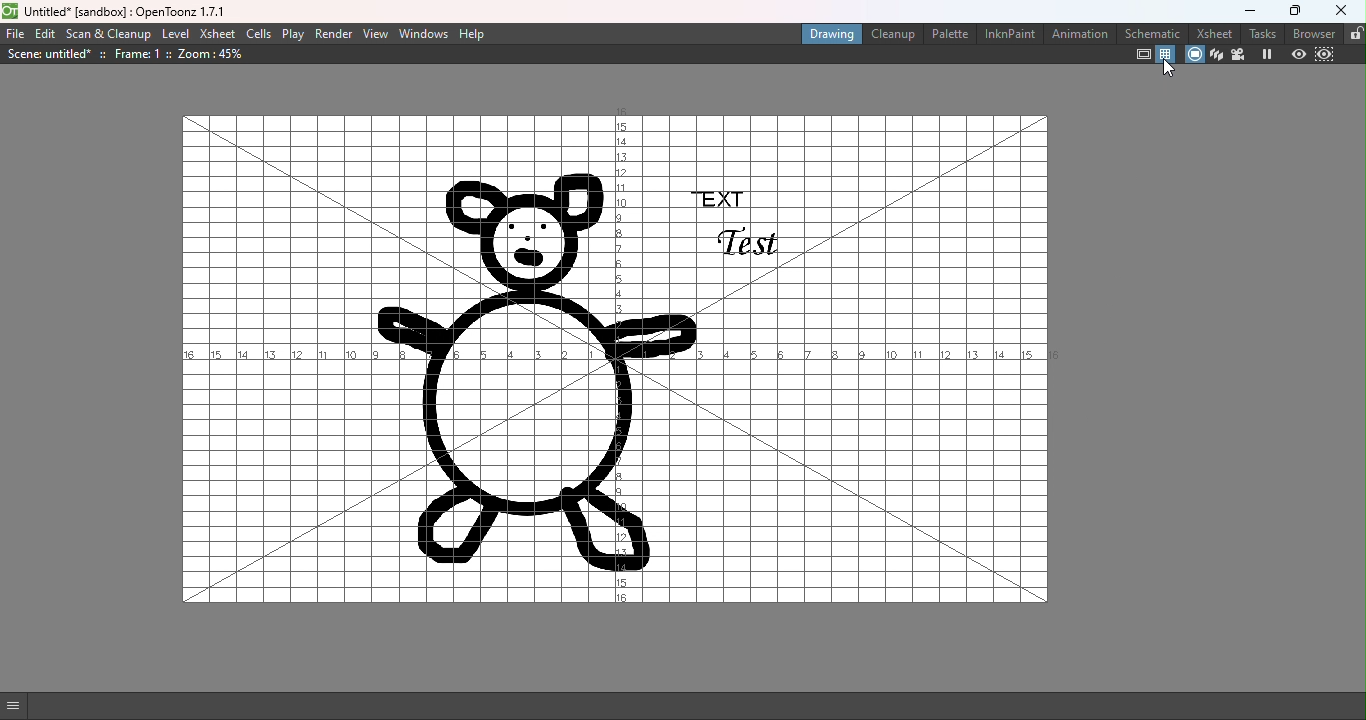  I want to click on 3D view, so click(1216, 55).